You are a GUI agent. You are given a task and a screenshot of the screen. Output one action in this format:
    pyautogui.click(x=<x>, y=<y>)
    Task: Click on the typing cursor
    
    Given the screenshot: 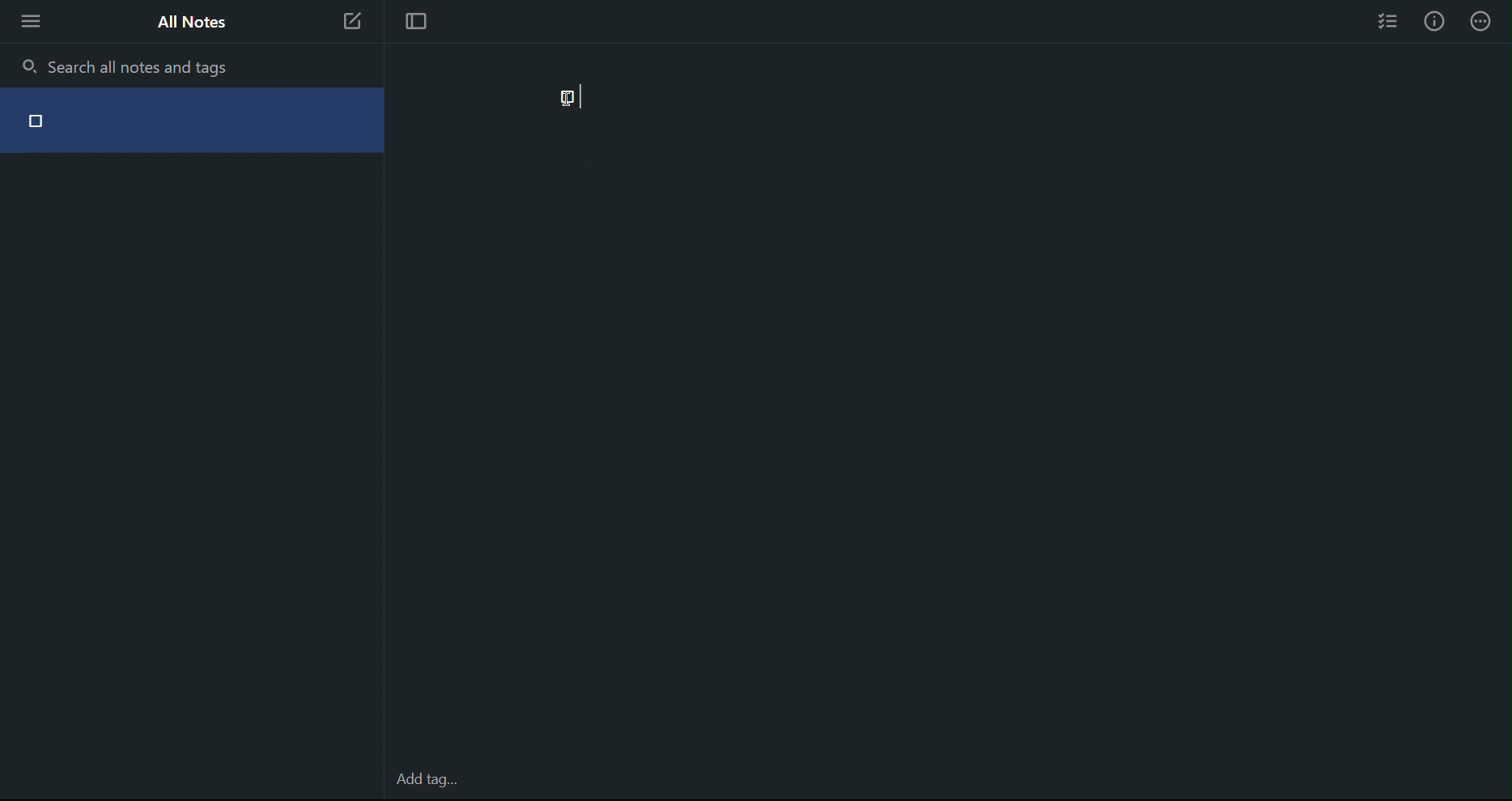 What is the action you would take?
    pyautogui.click(x=588, y=100)
    